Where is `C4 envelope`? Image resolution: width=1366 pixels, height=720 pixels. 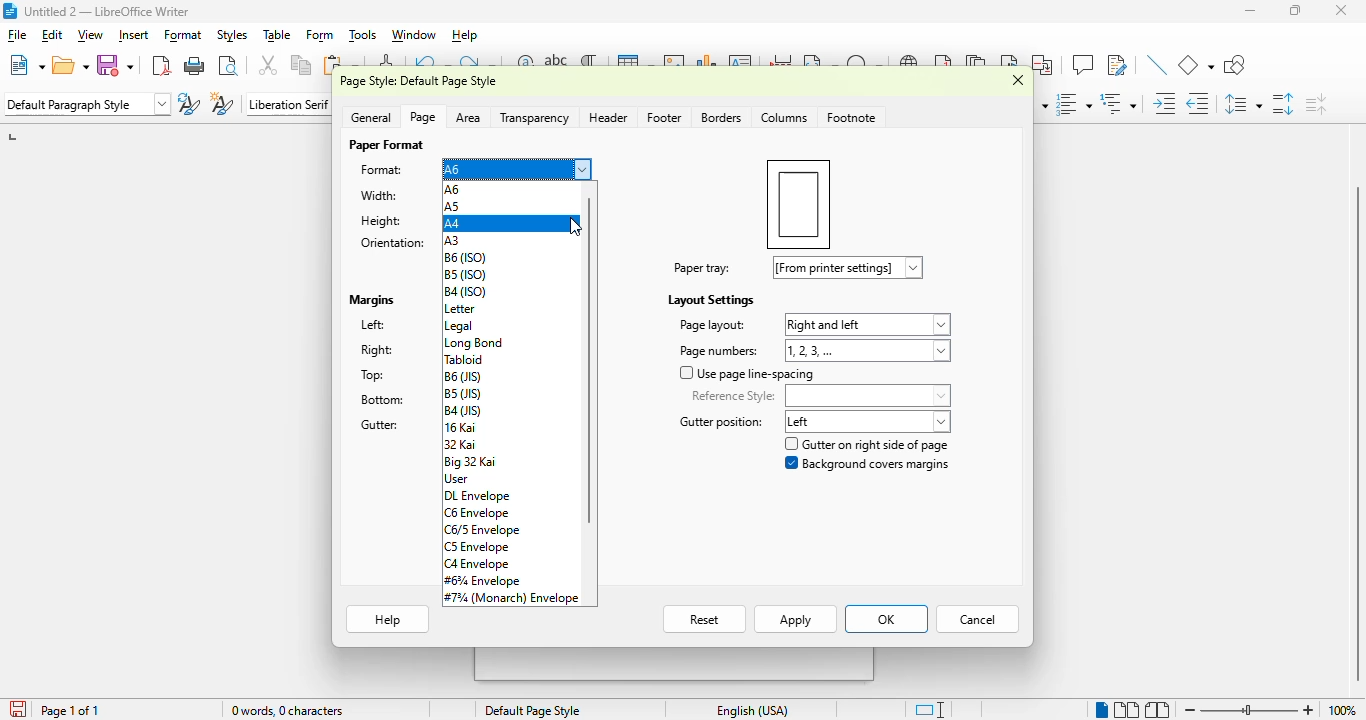 C4 envelope is located at coordinates (477, 564).